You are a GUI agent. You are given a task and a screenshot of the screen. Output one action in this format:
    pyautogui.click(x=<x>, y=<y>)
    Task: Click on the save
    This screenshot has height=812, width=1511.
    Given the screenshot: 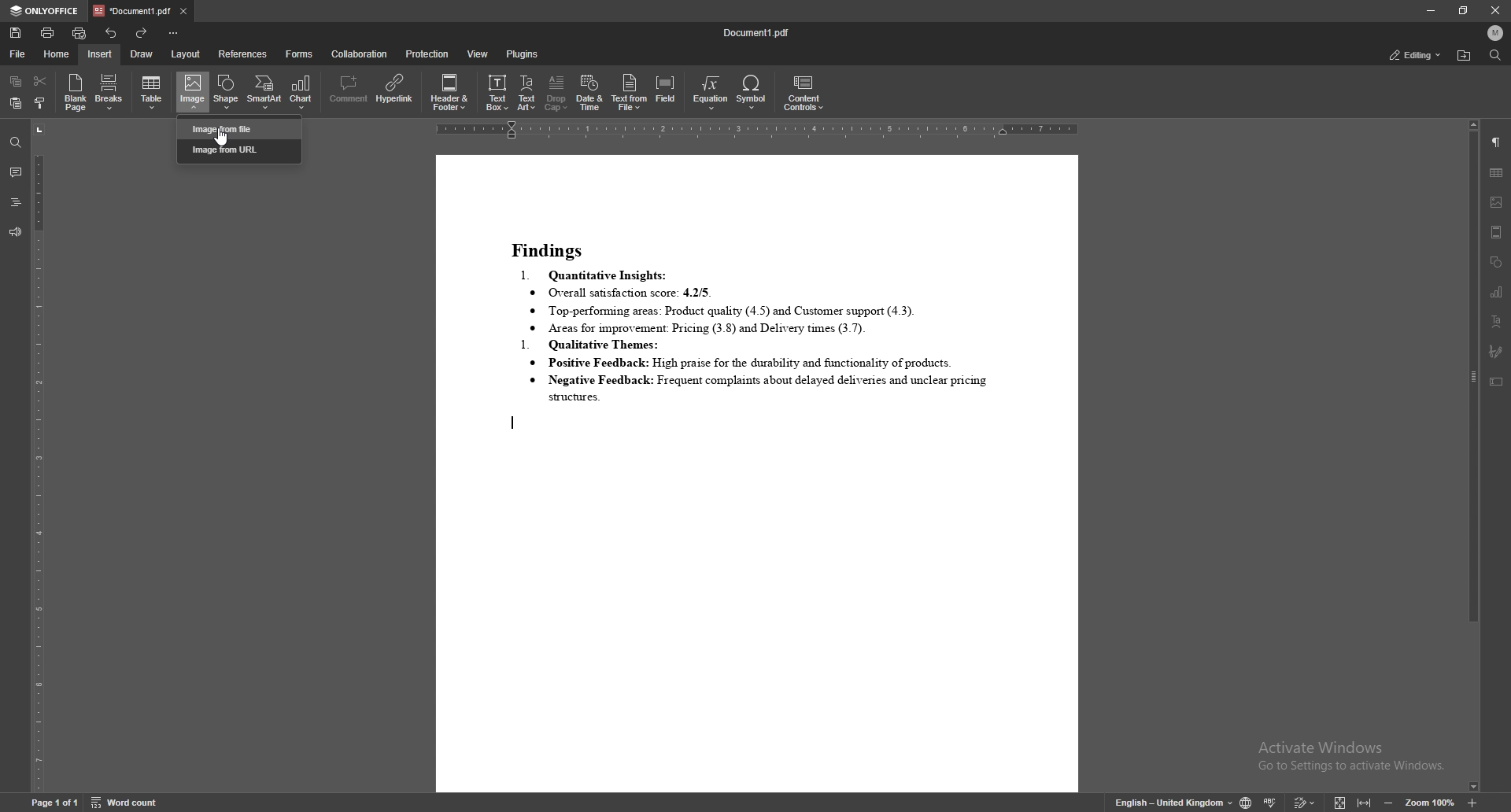 What is the action you would take?
    pyautogui.click(x=17, y=33)
    